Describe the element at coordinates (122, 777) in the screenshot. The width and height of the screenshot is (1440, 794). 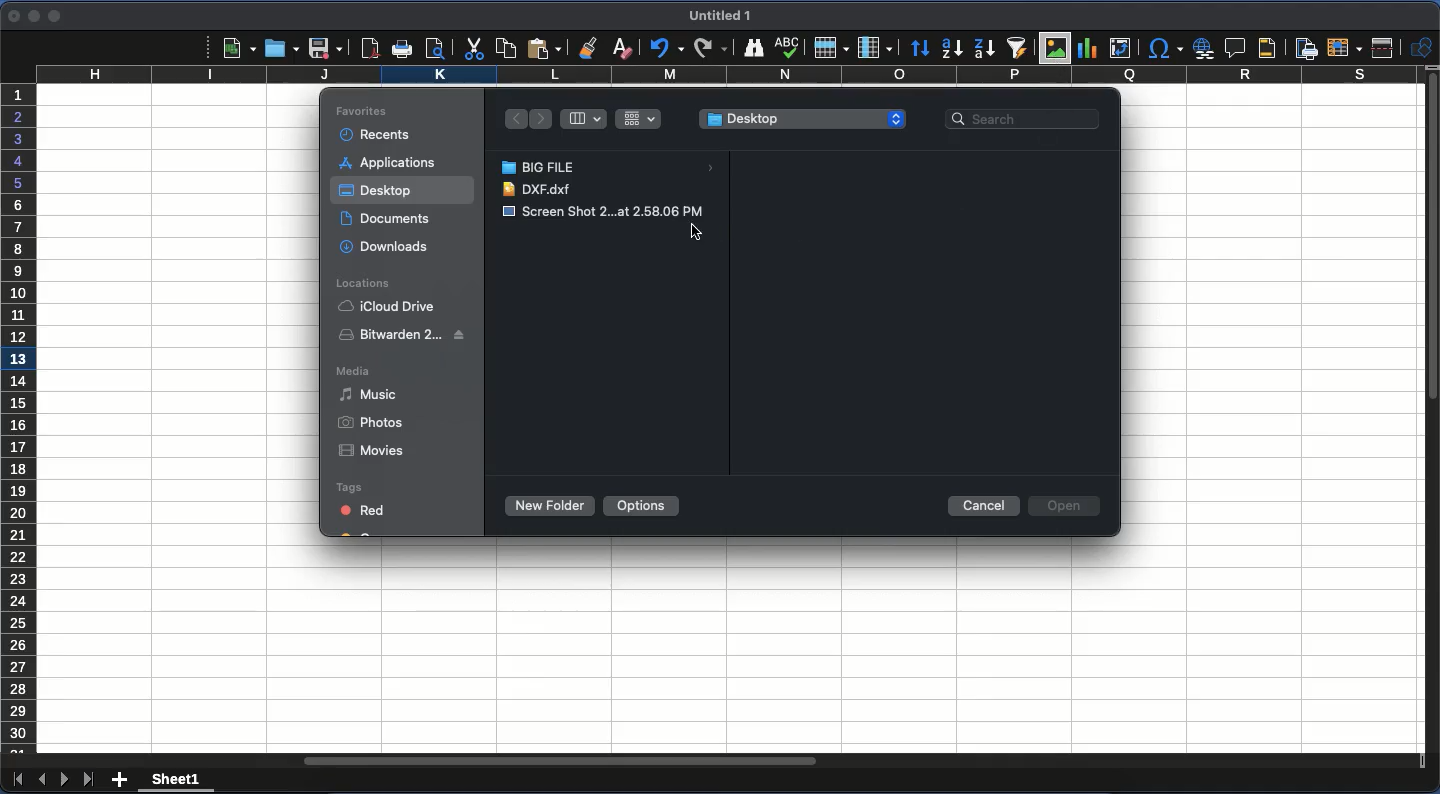
I see `add` at that location.